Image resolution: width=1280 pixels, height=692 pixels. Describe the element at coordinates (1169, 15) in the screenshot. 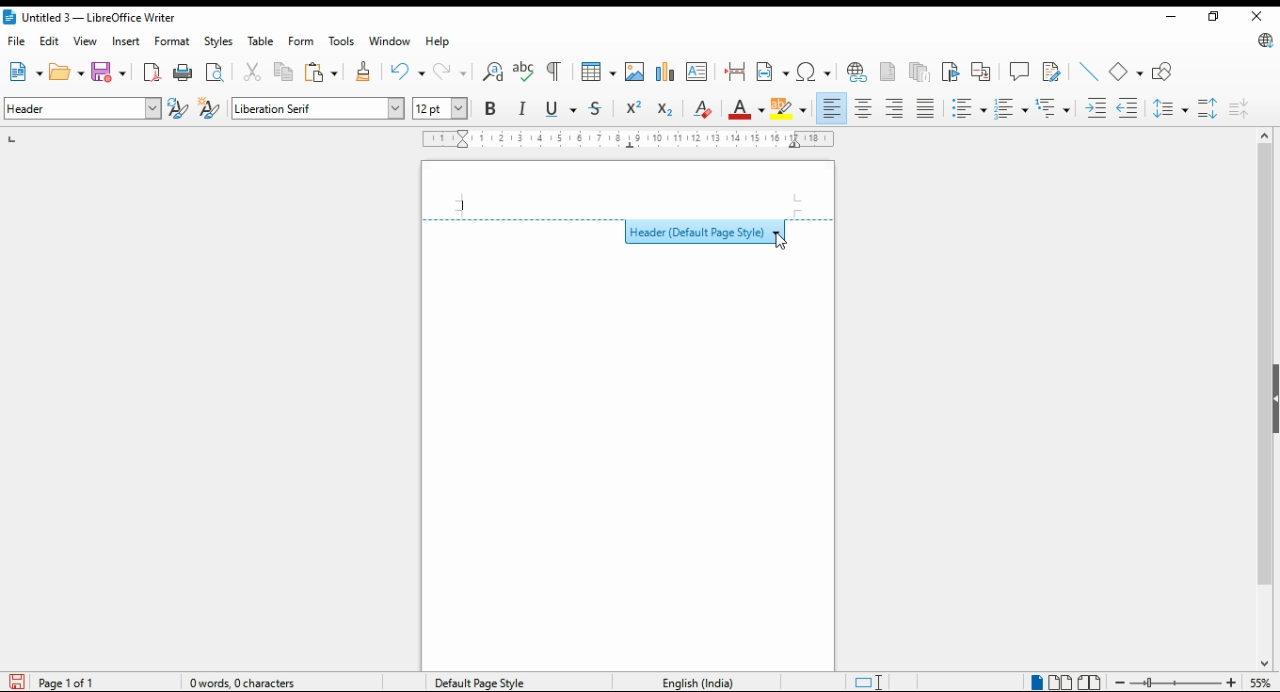

I see `minimize` at that location.